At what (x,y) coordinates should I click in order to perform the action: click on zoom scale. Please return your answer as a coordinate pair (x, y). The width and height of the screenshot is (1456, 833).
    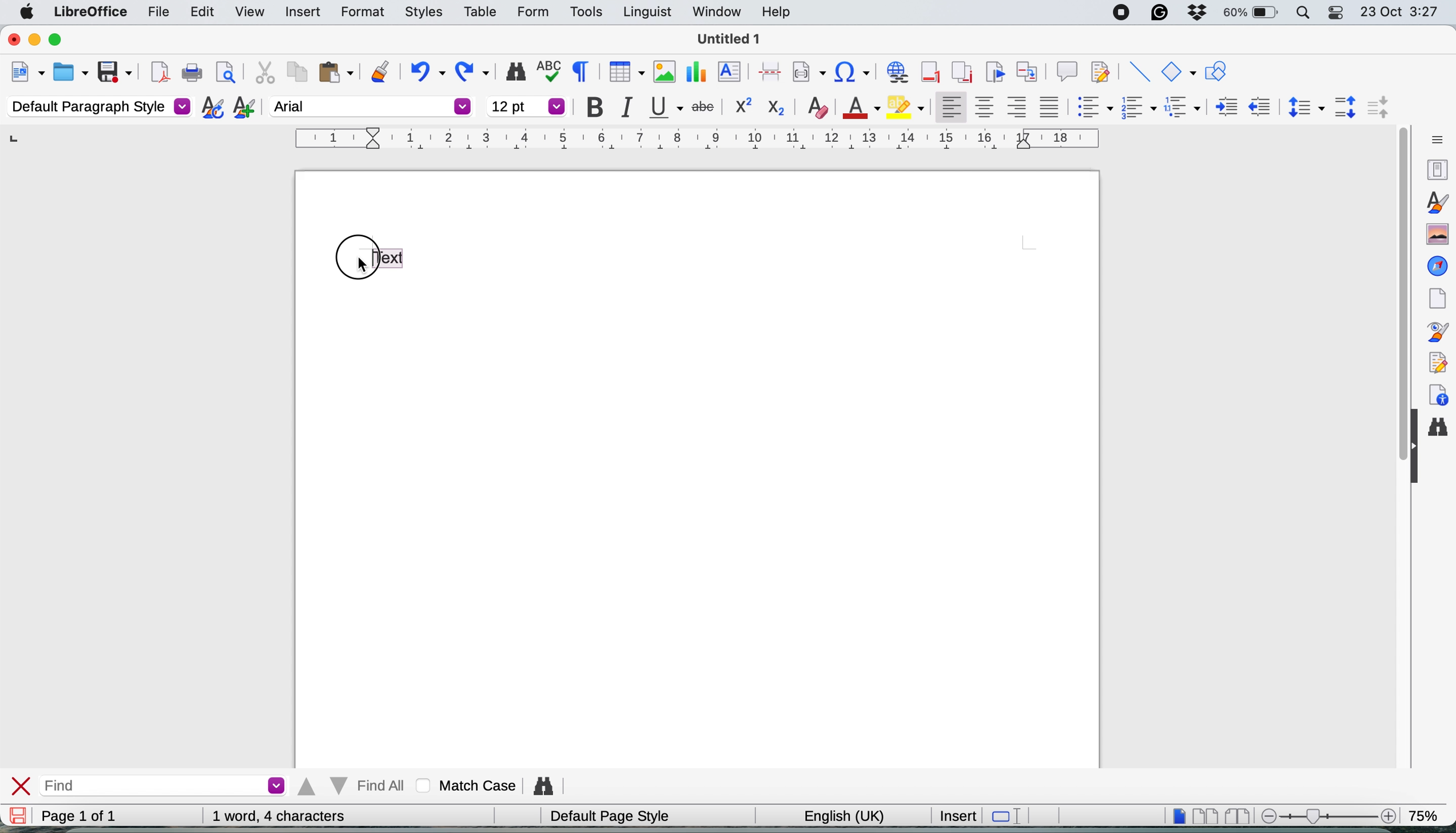
    Looking at the image, I should click on (1326, 815).